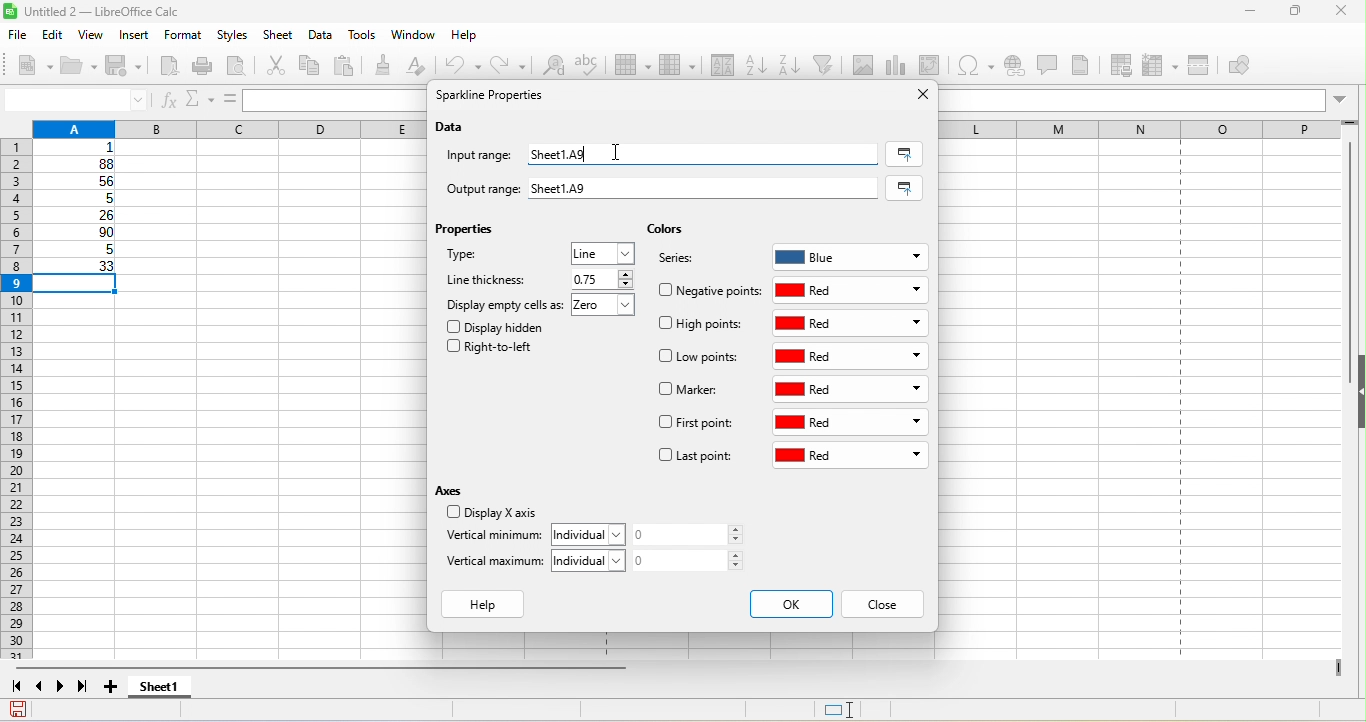 The width and height of the screenshot is (1366, 722). Describe the element at coordinates (1288, 13) in the screenshot. I see `maximize` at that location.